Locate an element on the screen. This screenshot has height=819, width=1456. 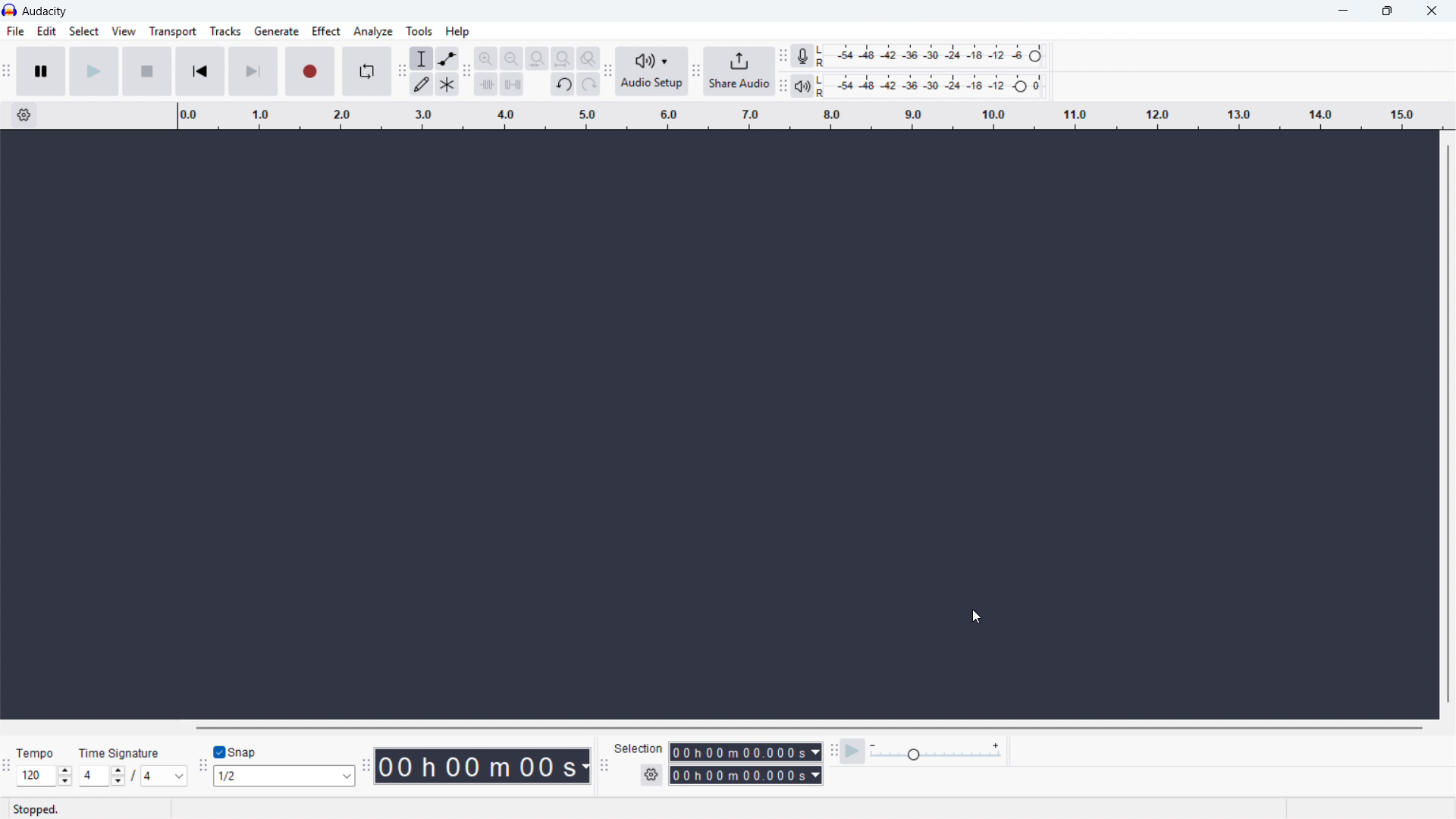
envelop tool is located at coordinates (447, 58).